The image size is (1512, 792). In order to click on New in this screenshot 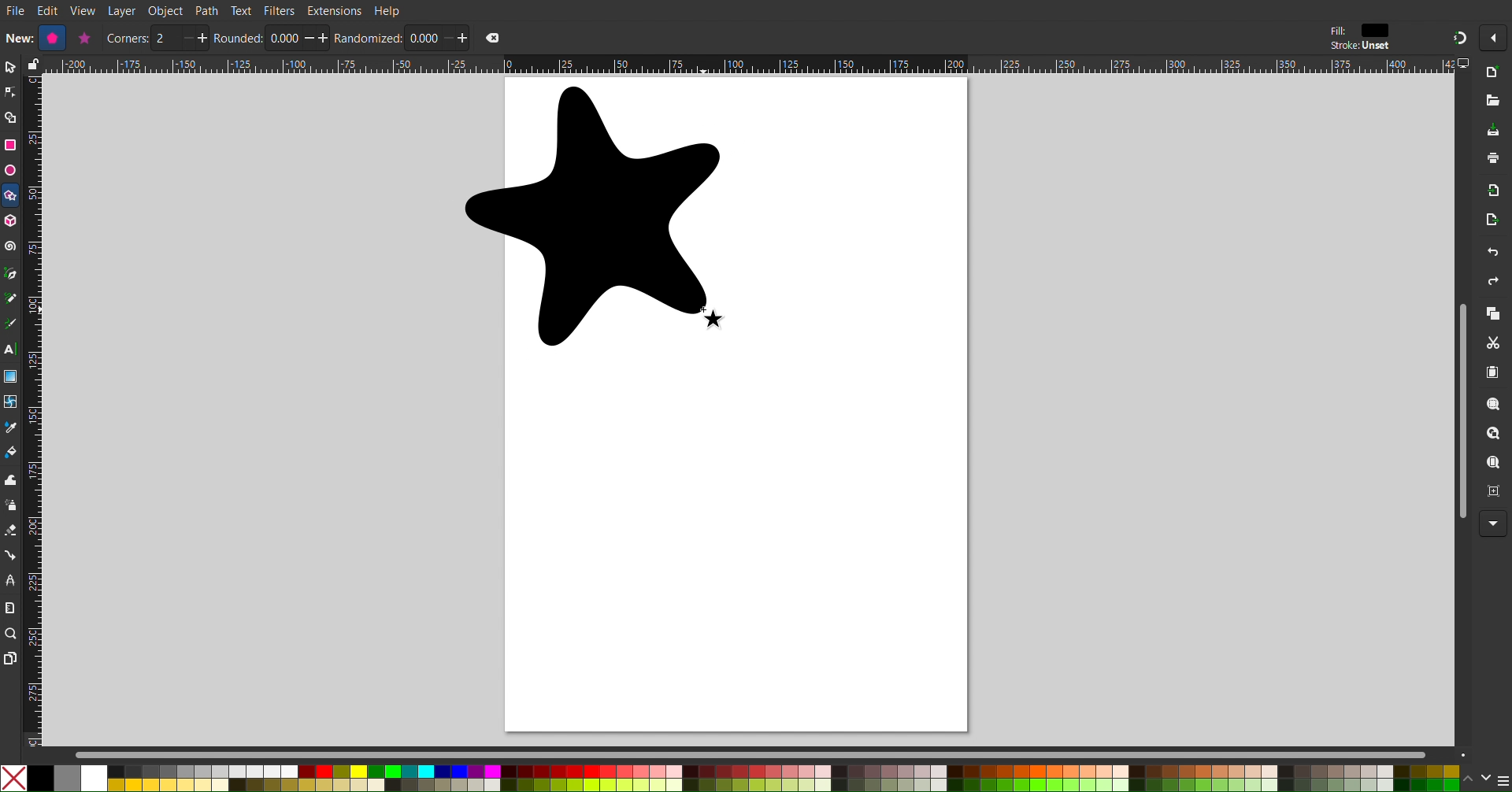, I will do `click(17, 37)`.